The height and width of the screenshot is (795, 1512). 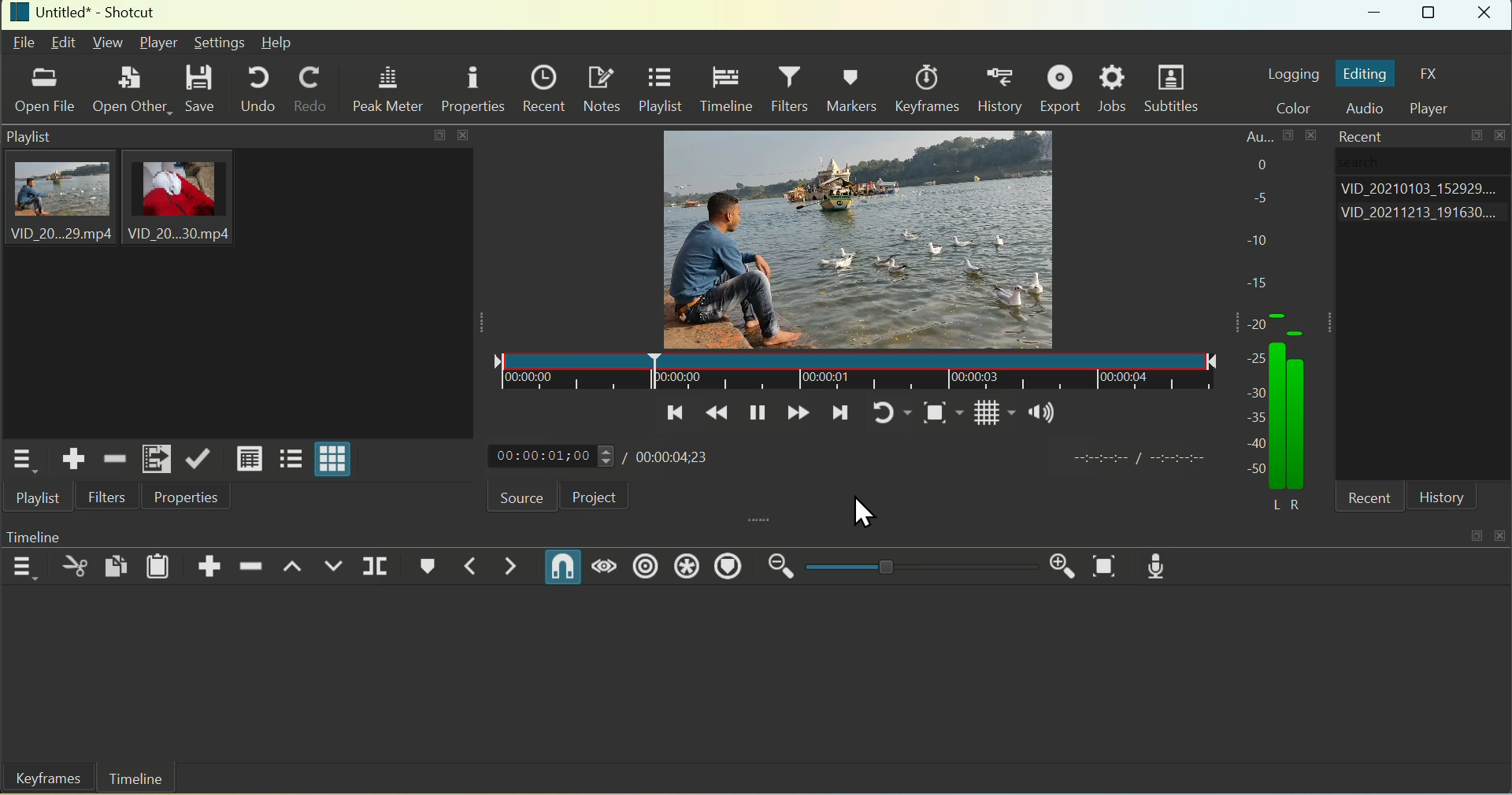 What do you see at coordinates (335, 568) in the screenshot?
I see `Overwrite` at bounding box center [335, 568].